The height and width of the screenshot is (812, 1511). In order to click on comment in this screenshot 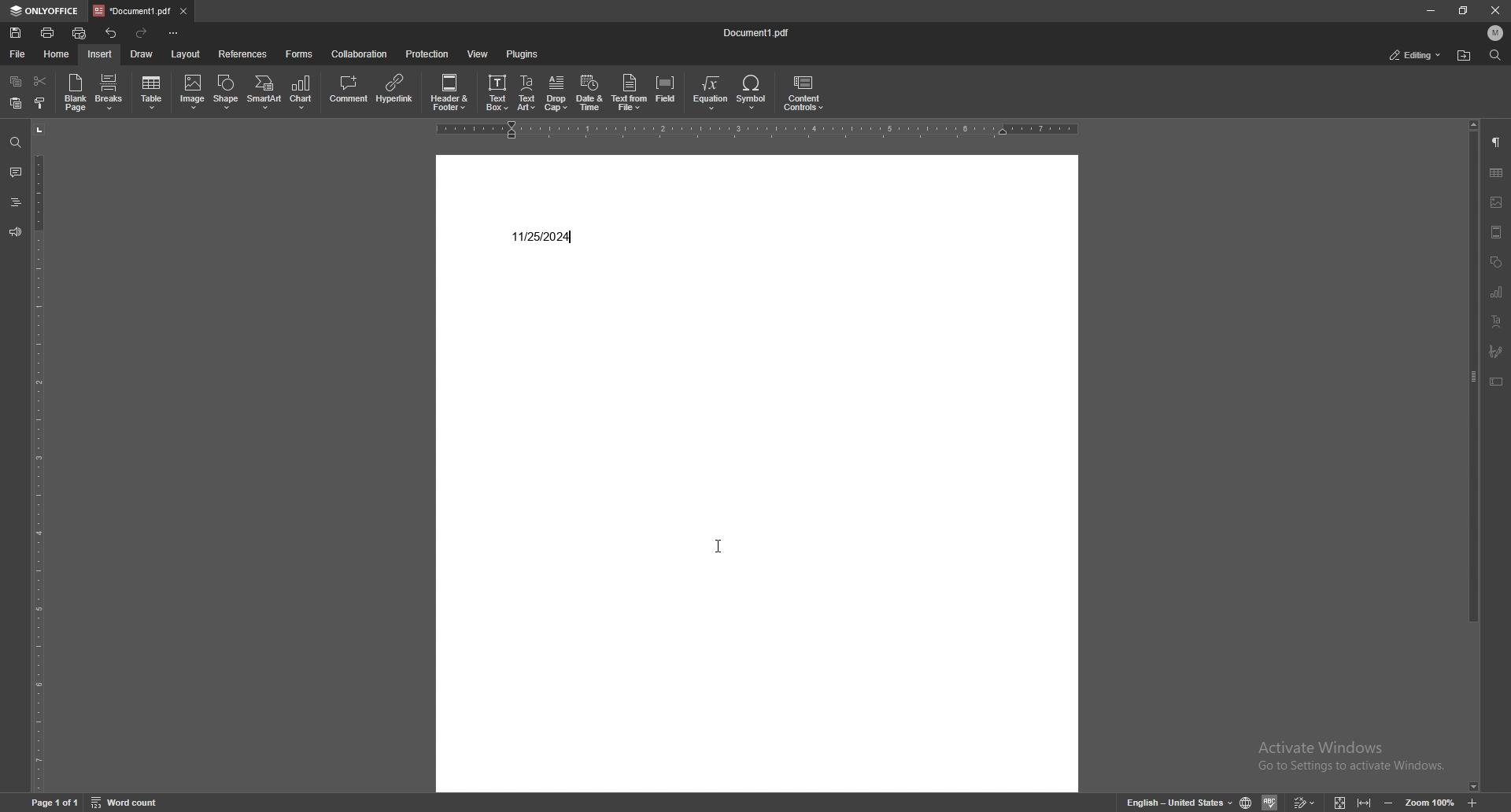, I will do `click(348, 90)`.